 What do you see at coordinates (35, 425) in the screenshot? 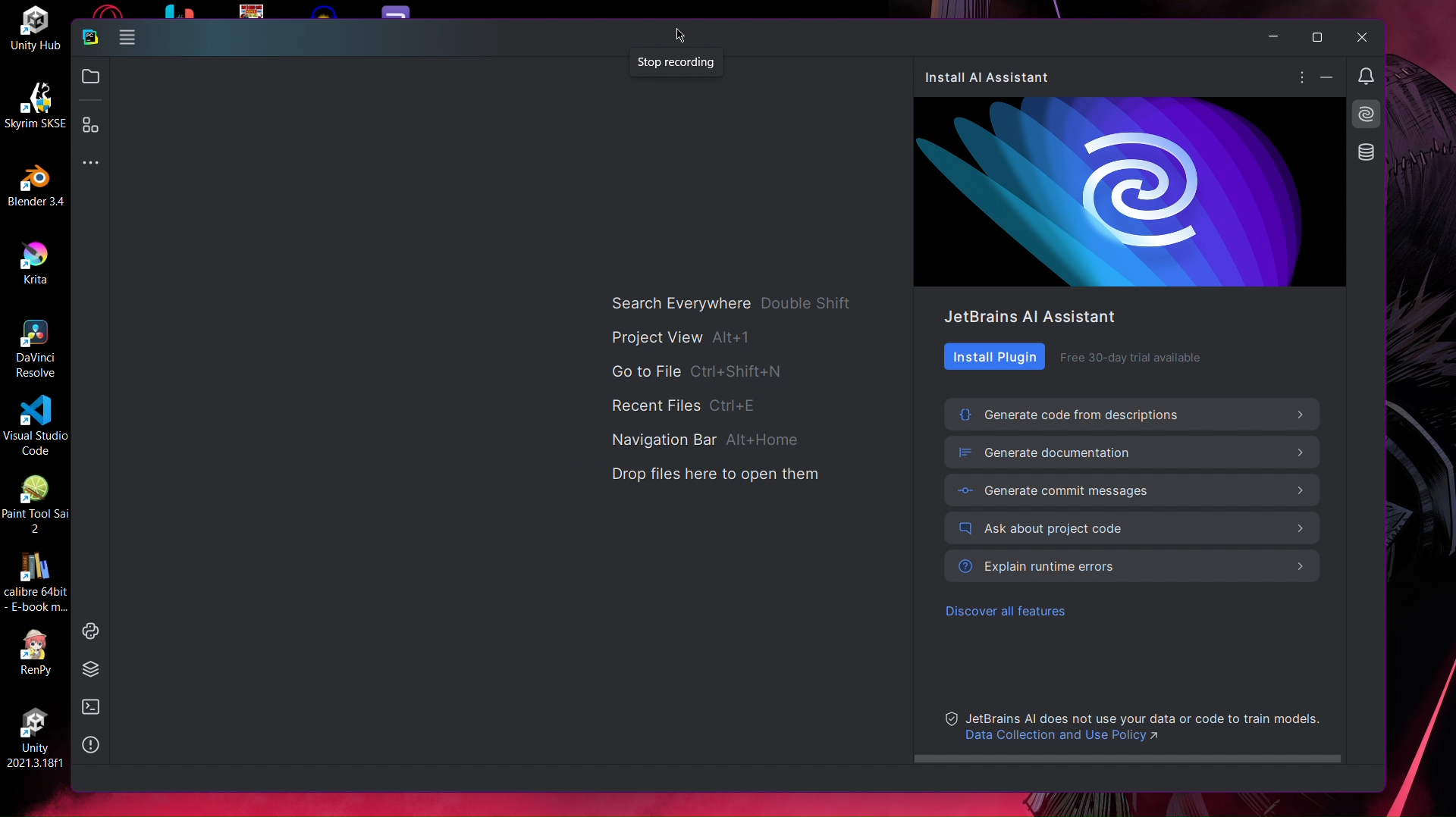
I see `Visual Studio Code` at bounding box center [35, 425].